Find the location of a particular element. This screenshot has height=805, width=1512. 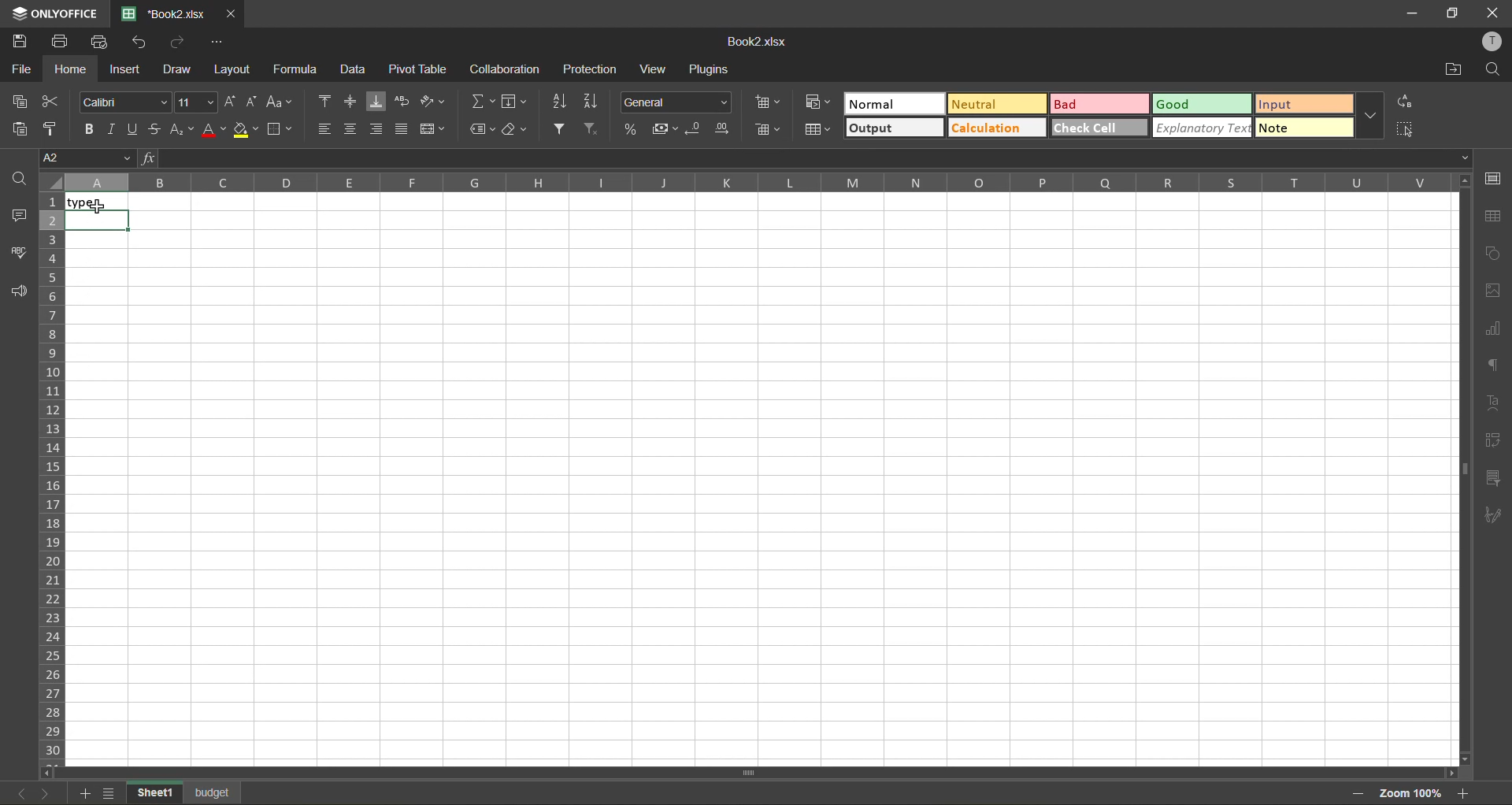

bad is located at coordinates (1099, 103).